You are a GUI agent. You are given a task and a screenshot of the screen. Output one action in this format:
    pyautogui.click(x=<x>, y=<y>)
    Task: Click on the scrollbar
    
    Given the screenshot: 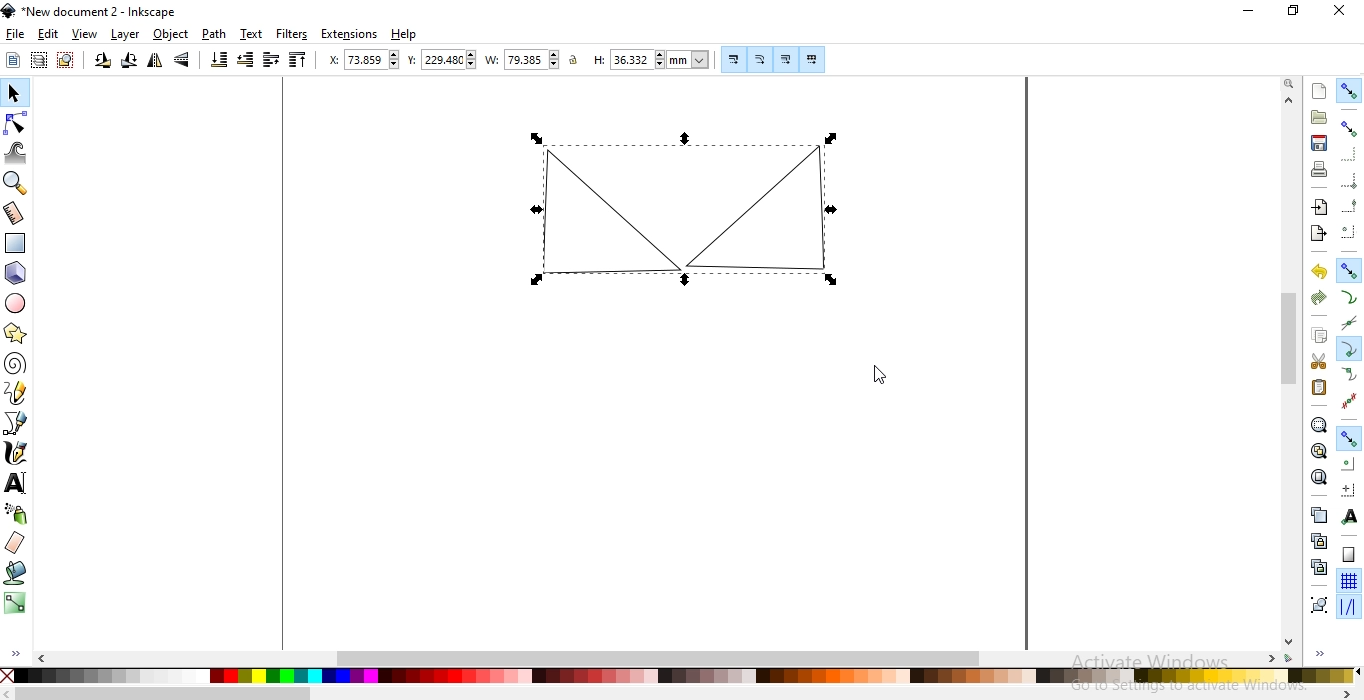 What is the action you would take?
    pyautogui.click(x=674, y=692)
    